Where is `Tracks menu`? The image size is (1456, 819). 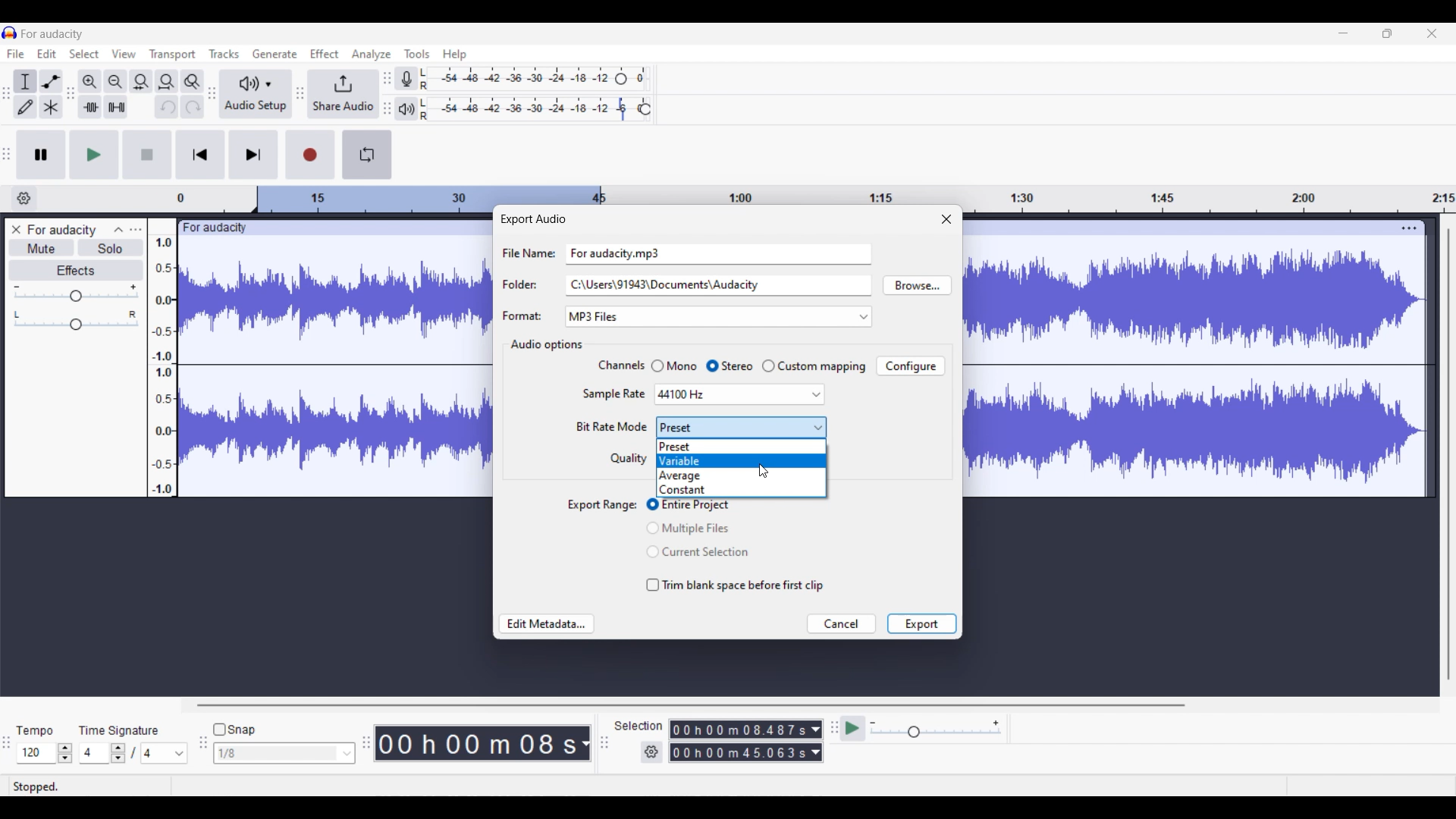 Tracks menu is located at coordinates (224, 54).